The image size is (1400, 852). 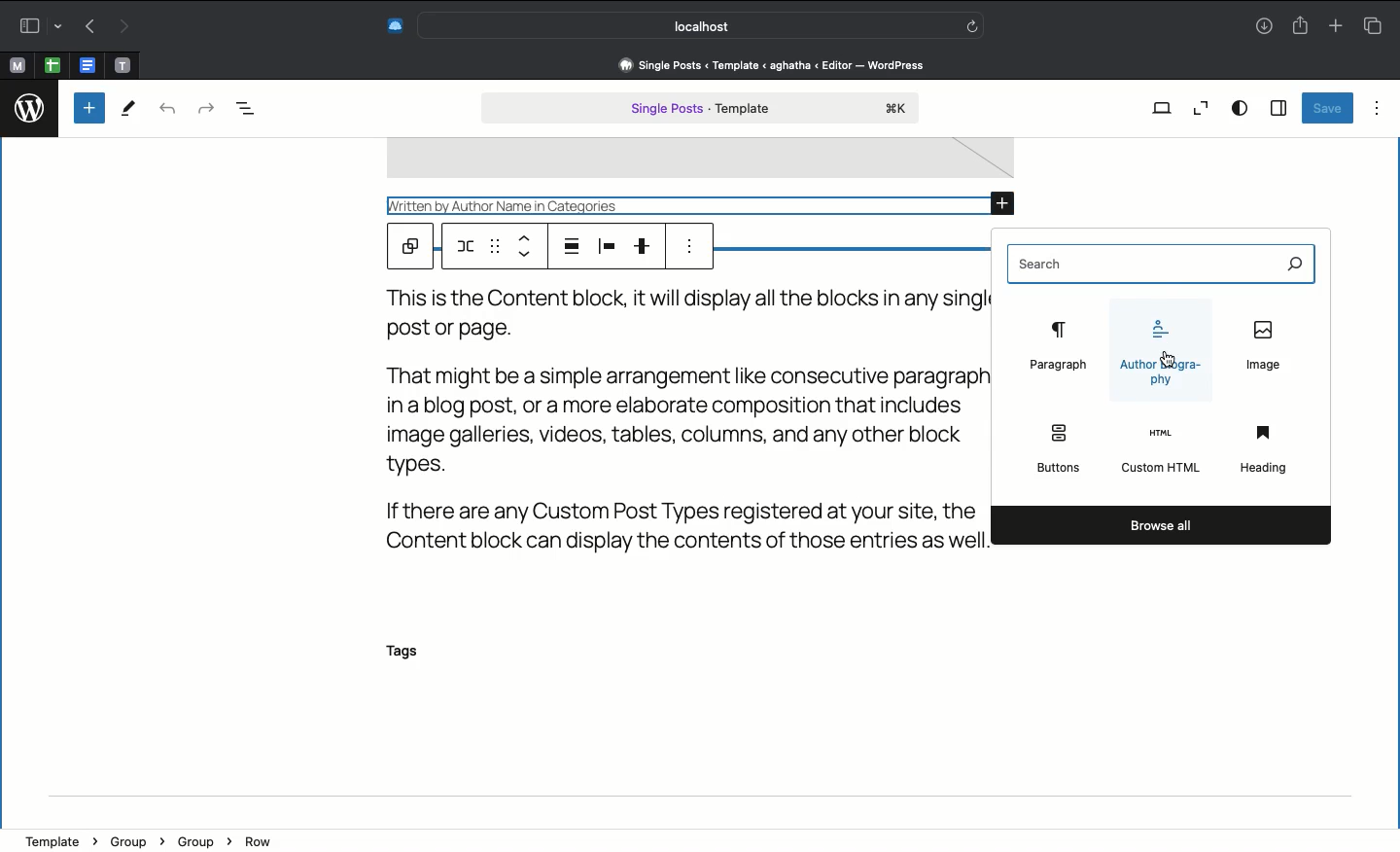 What do you see at coordinates (1264, 344) in the screenshot?
I see `Image` at bounding box center [1264, 344].